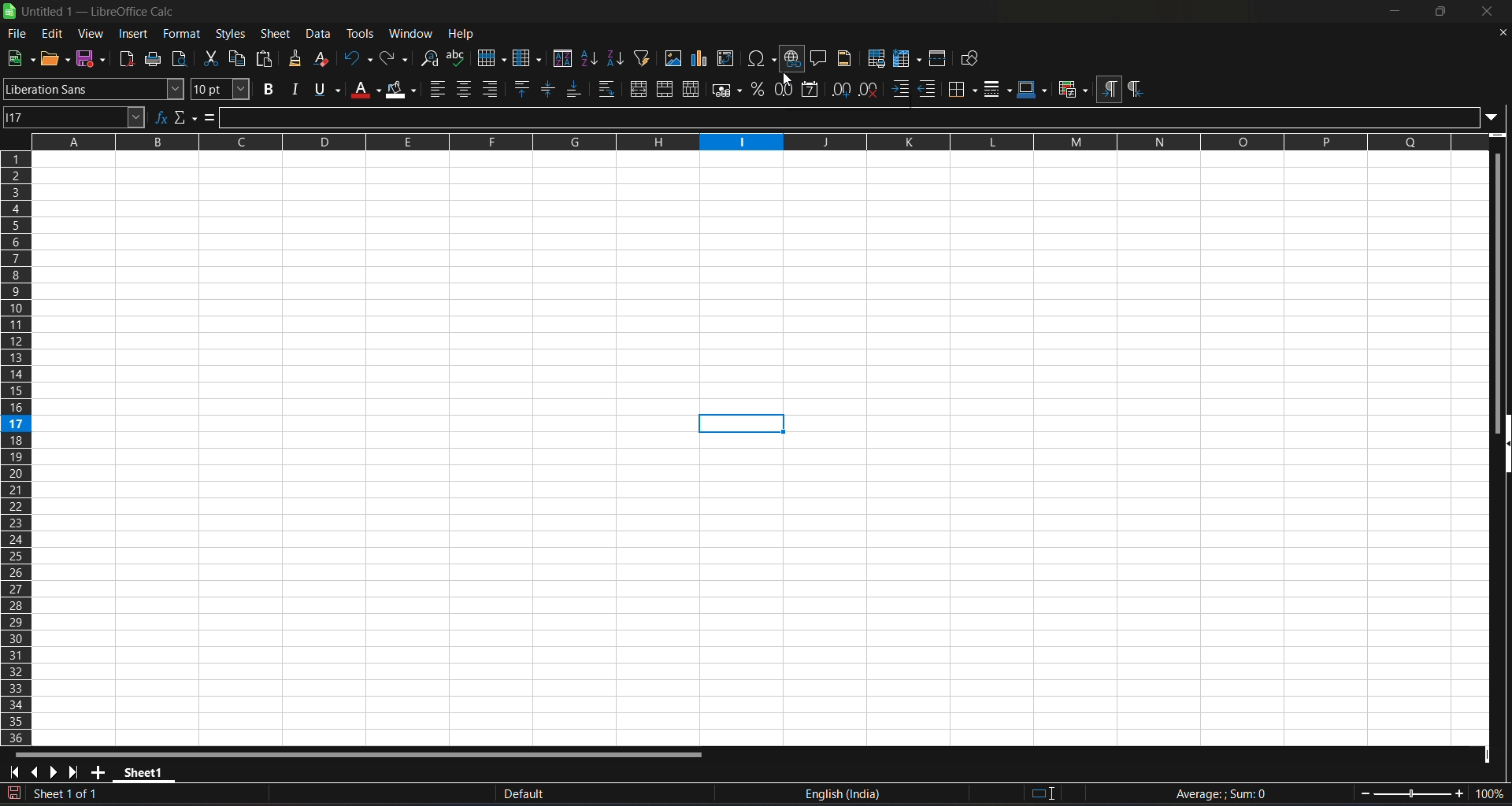 This screenshot has height=806, width=1512. Describe the element at coordinates (1396, 11) in the screenshot. I see `minimize` at that location.